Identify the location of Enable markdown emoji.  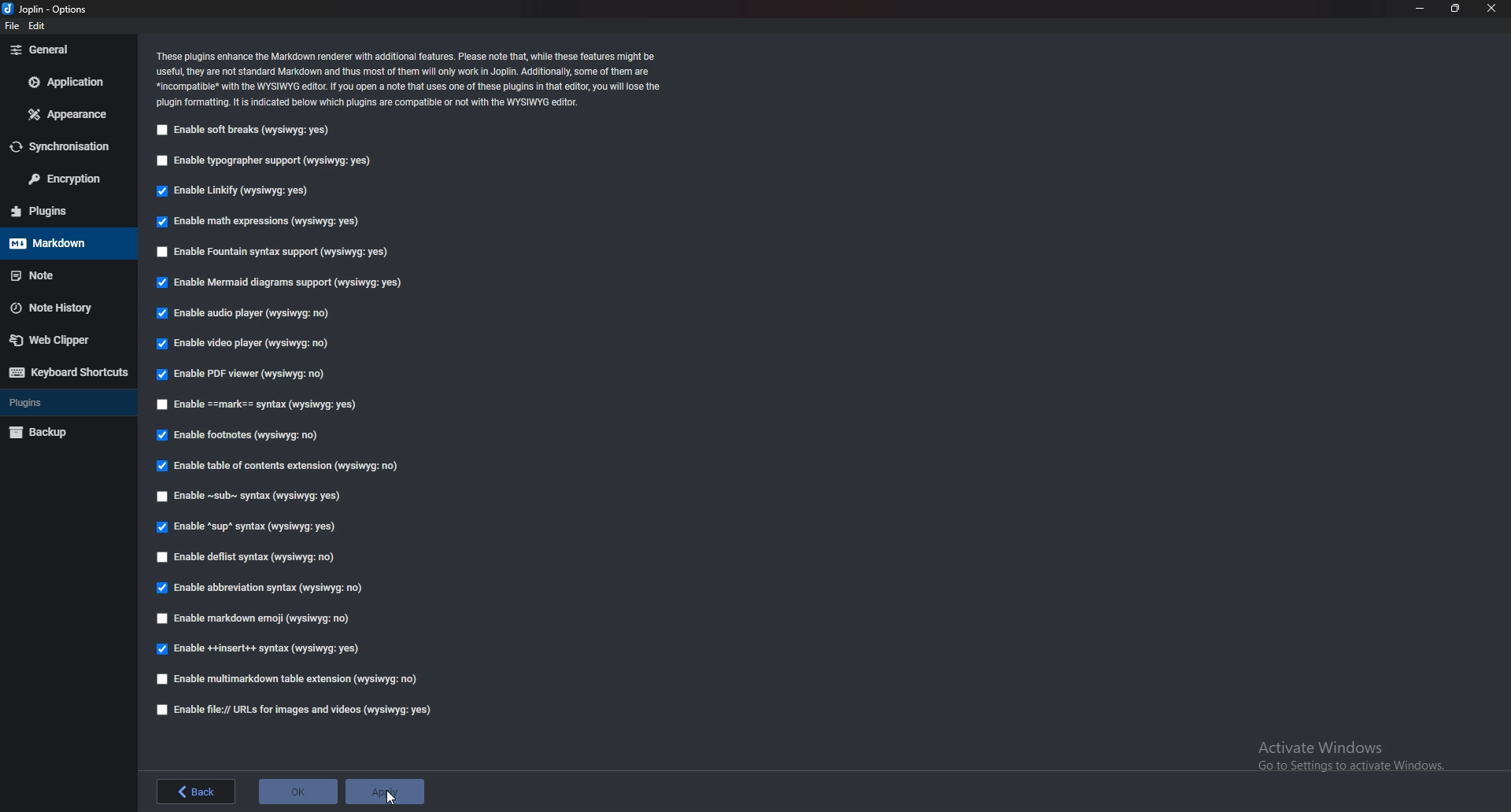
(257, 618).